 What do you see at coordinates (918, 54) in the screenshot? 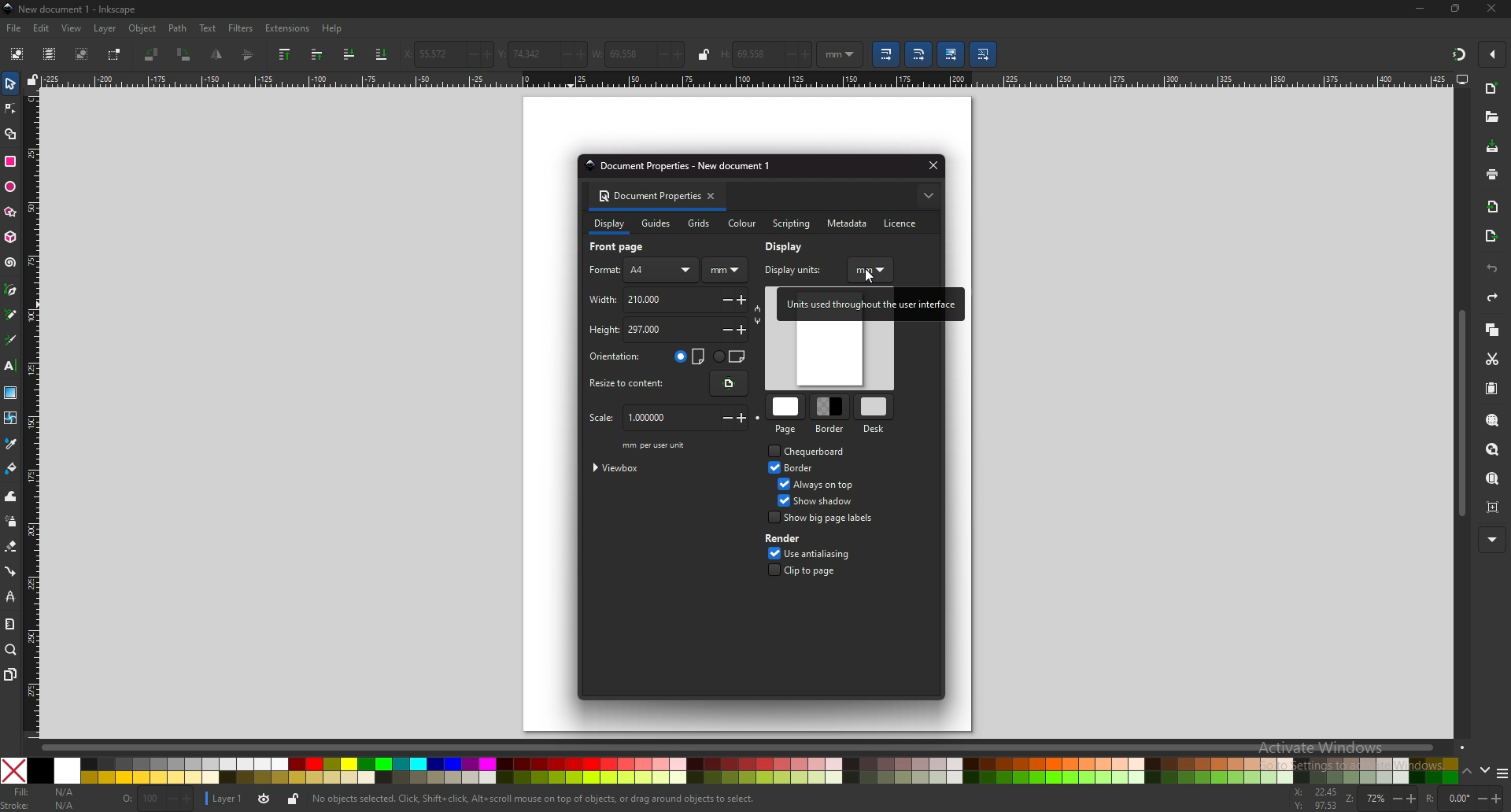
I see `scale radii` at bounding box center [918, 54].